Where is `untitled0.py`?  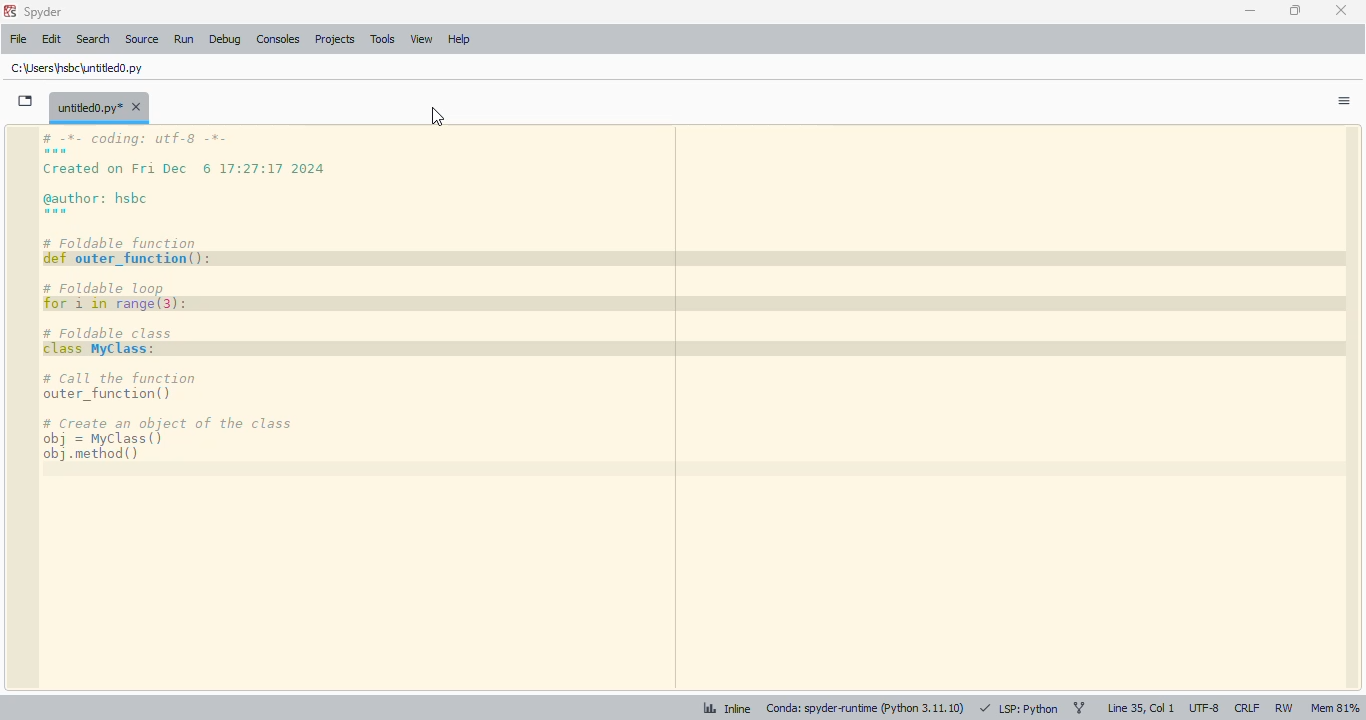 untitled0.py is located at coordinates (77, 68).